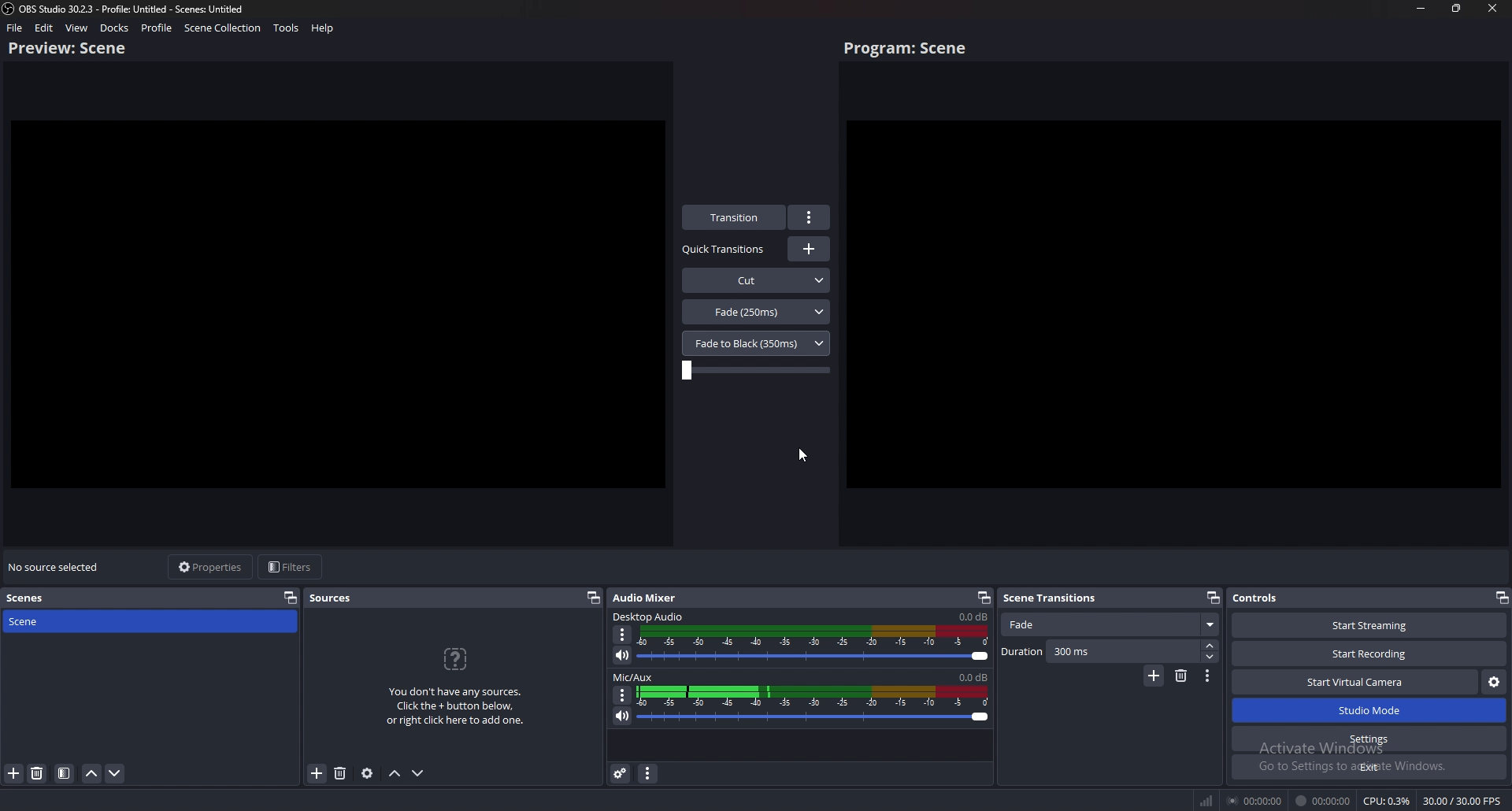 Image resolution: width=1512 pixels, height=811 pixels. I want to click on Studio mode, so click(1369, 711).